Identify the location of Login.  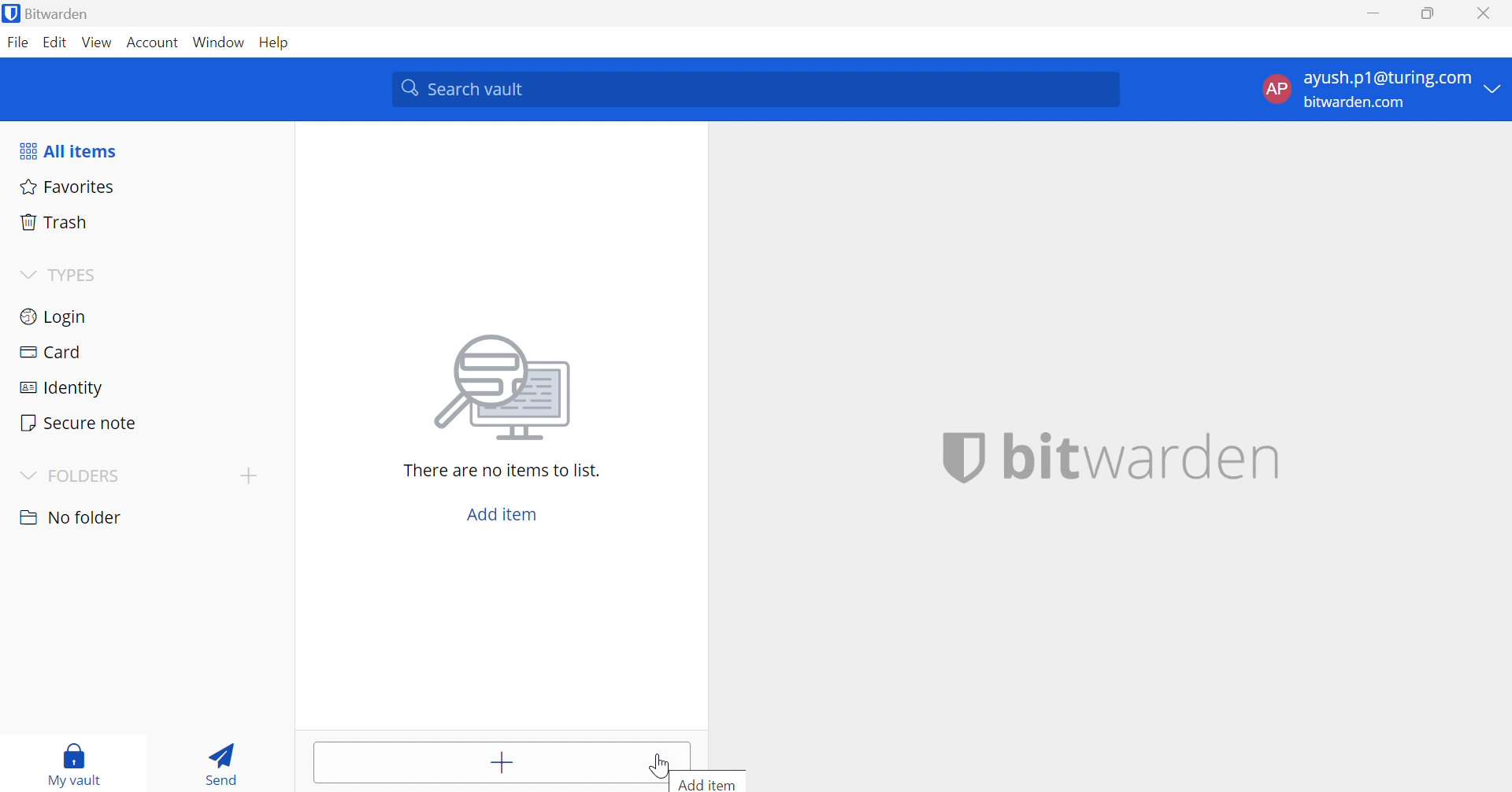
(143, 316).